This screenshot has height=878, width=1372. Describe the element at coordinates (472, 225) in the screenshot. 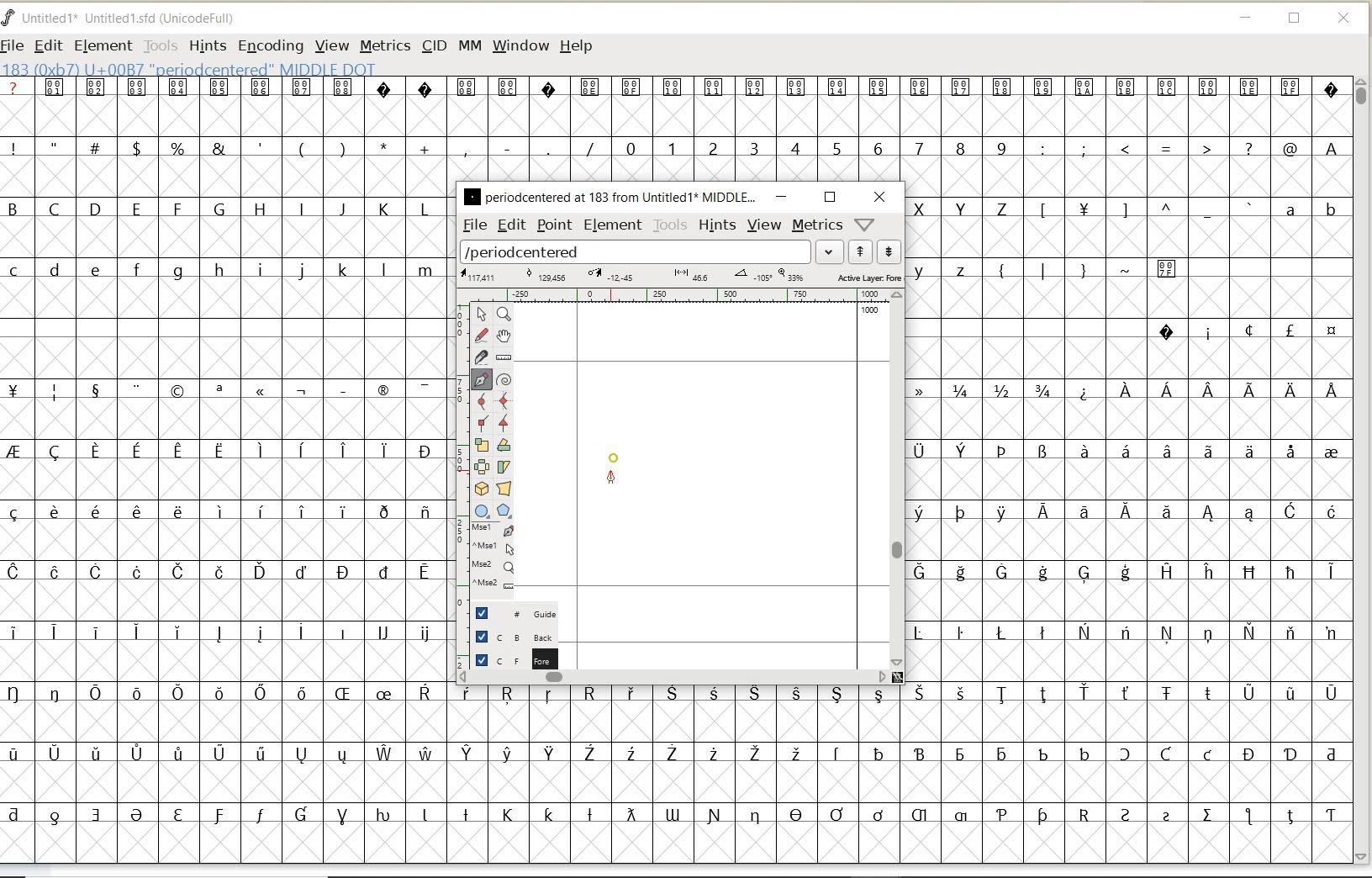

I see `file` at that location.